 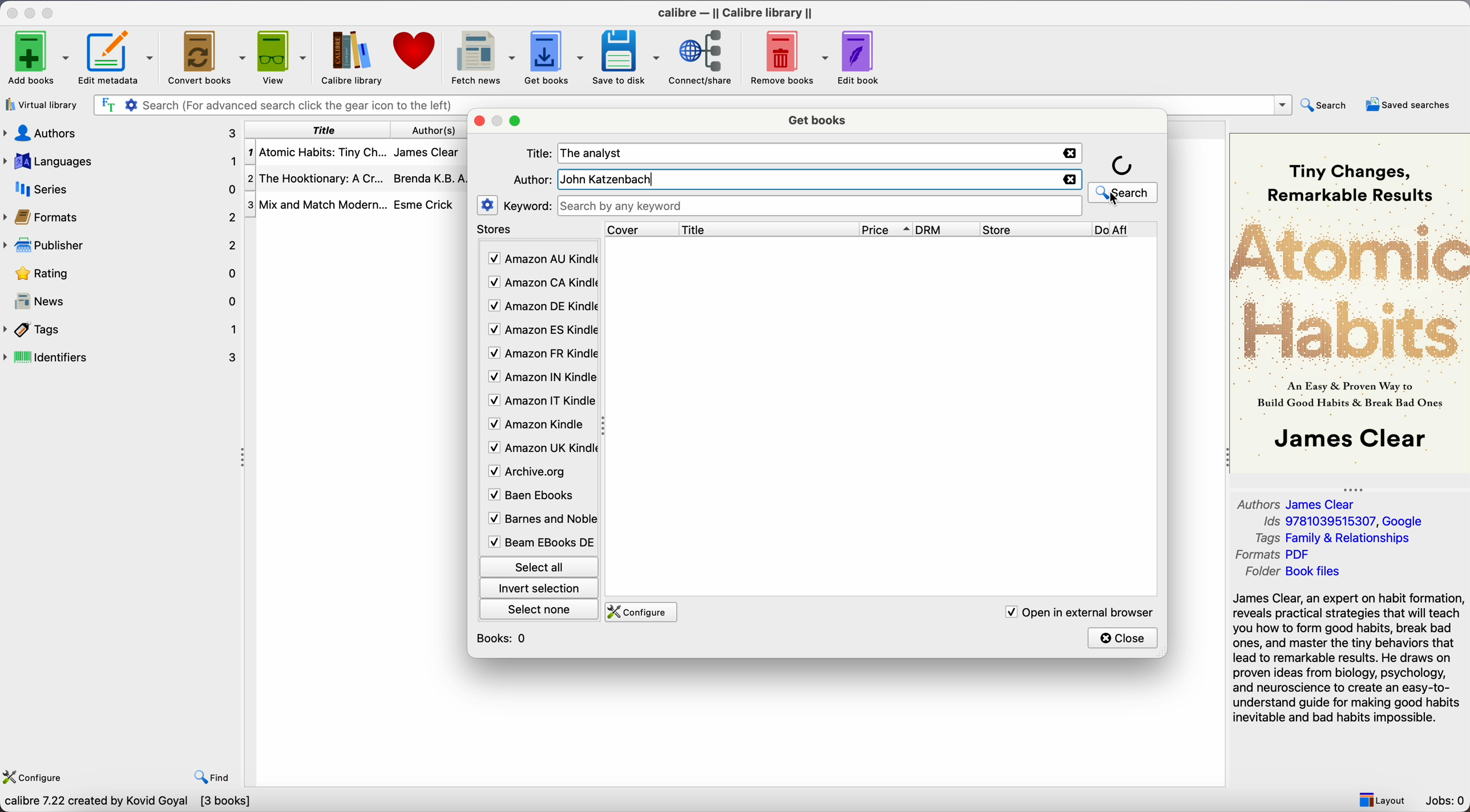 I want to click on Esme Crick, so click(x=423, y=204).